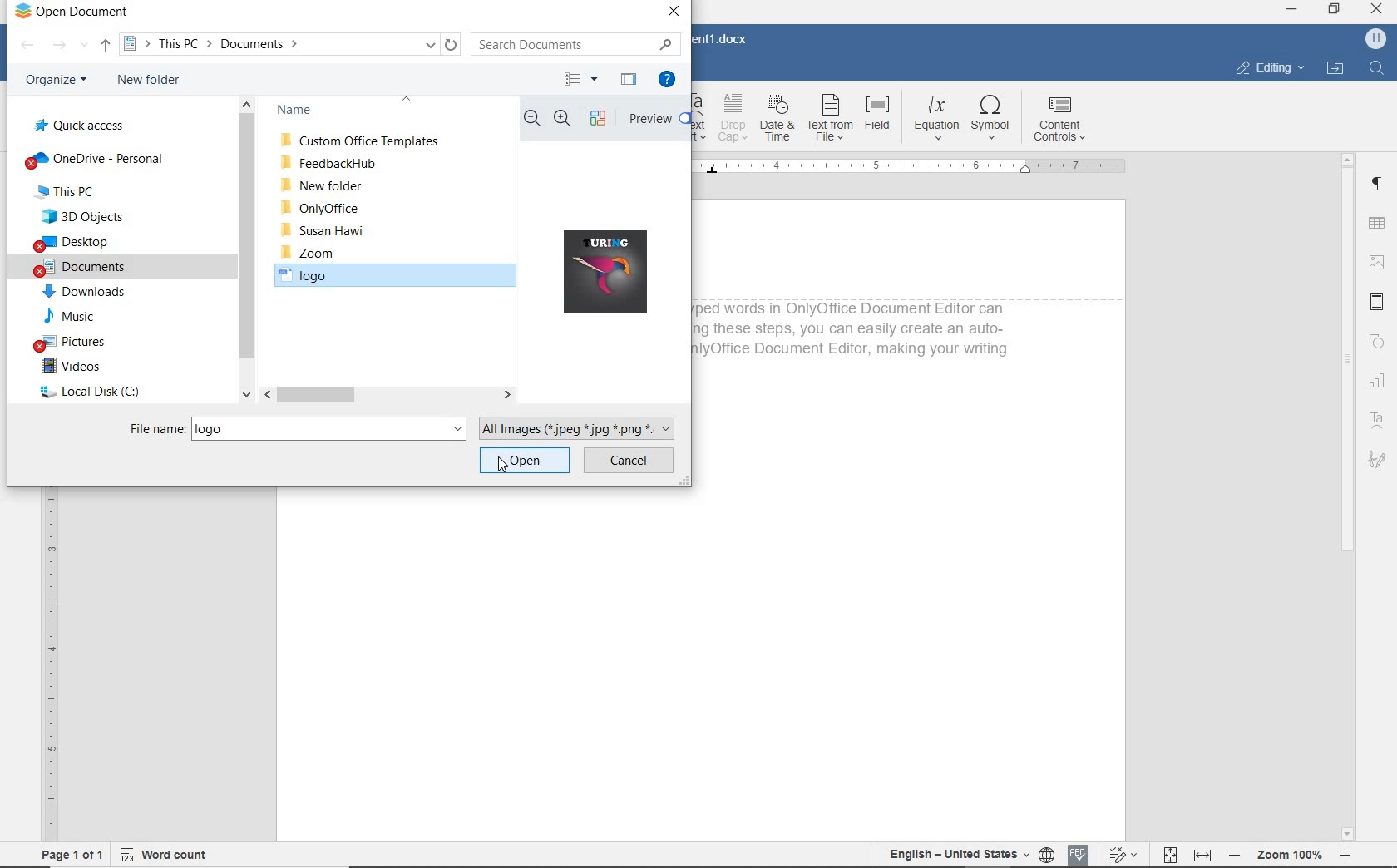  What do you see at coordinates (724, 38) in the screenshot?
I see `DOCUMENT .docx` at bounding box center [724, 38].